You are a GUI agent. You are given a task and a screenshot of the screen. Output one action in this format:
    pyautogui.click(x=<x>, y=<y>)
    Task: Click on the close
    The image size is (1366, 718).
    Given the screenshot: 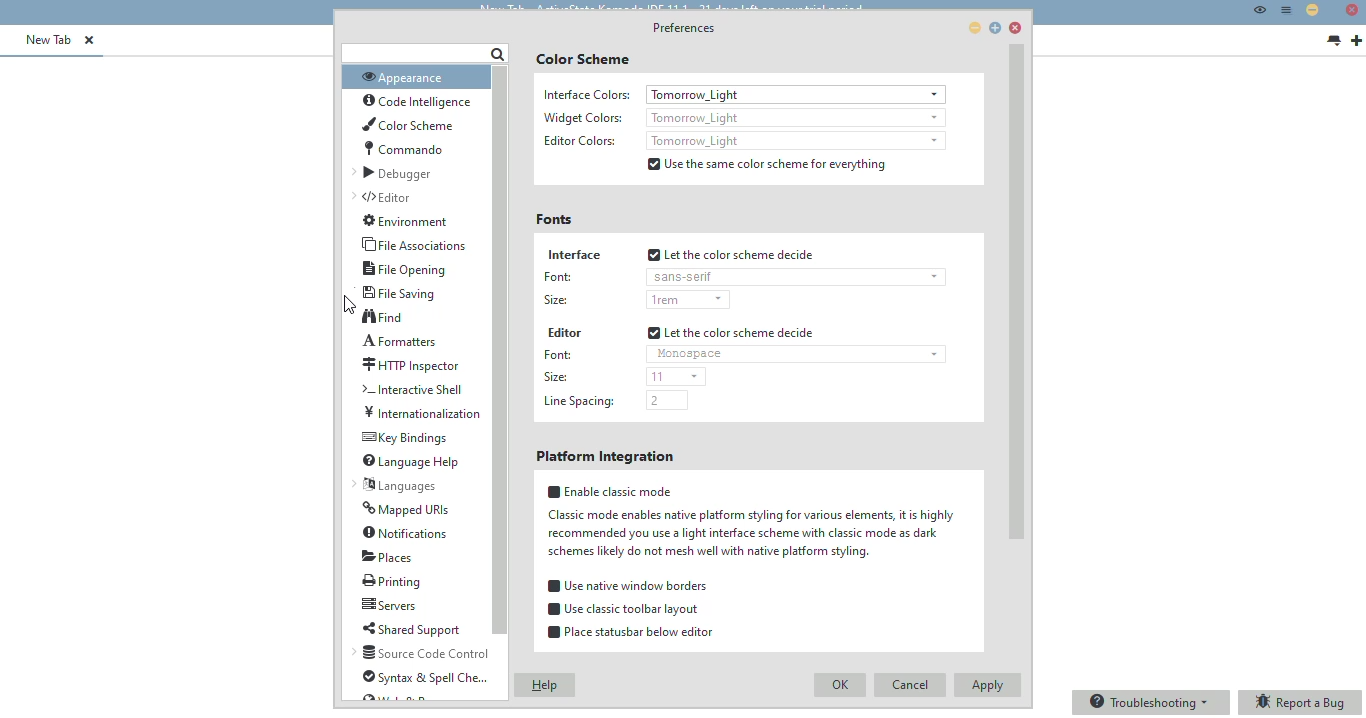 What is the action you would take?
    pyautogui.click(x=1015, y=28)
    